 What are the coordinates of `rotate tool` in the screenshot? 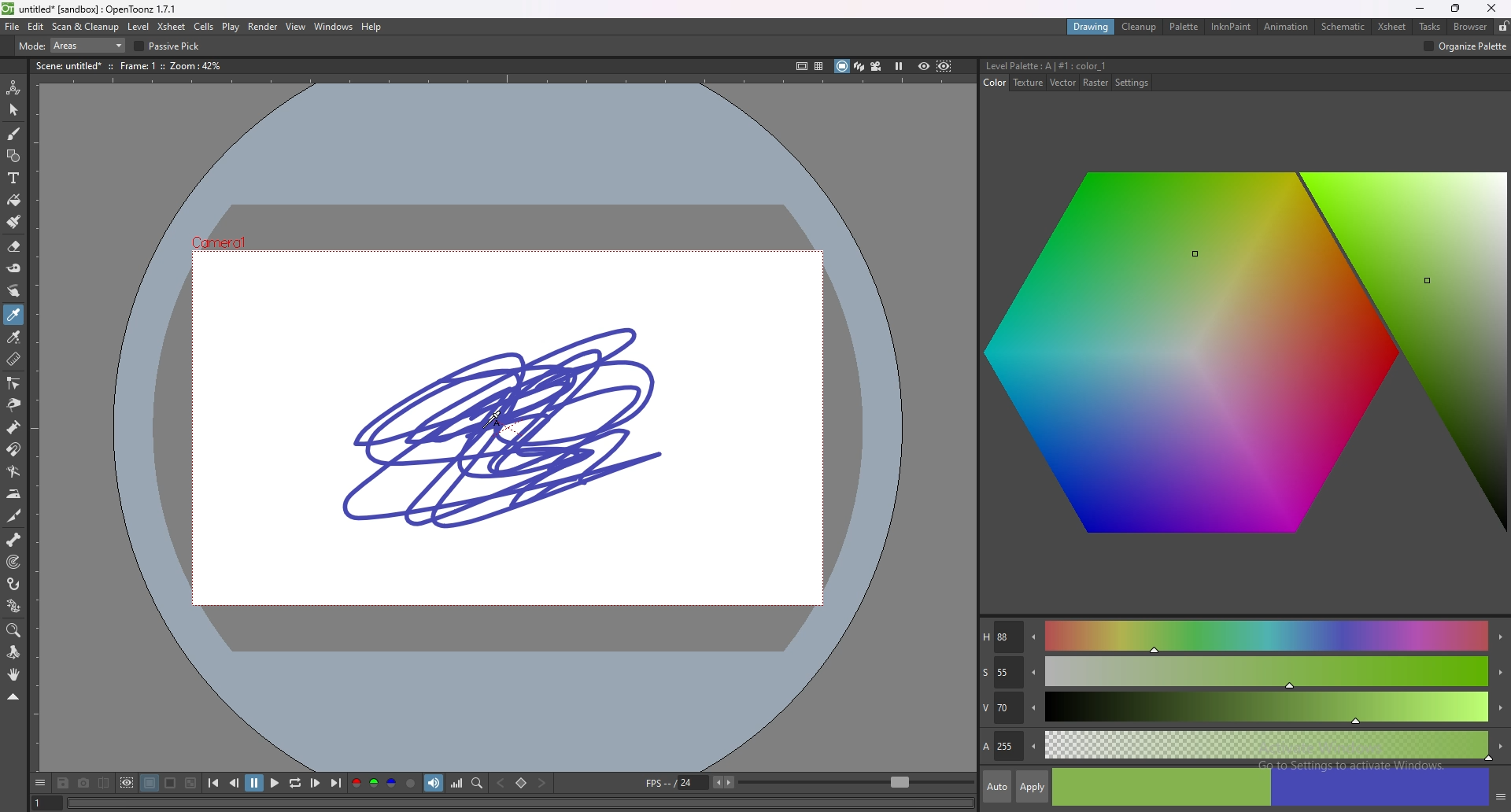 It's located at (13, 653).